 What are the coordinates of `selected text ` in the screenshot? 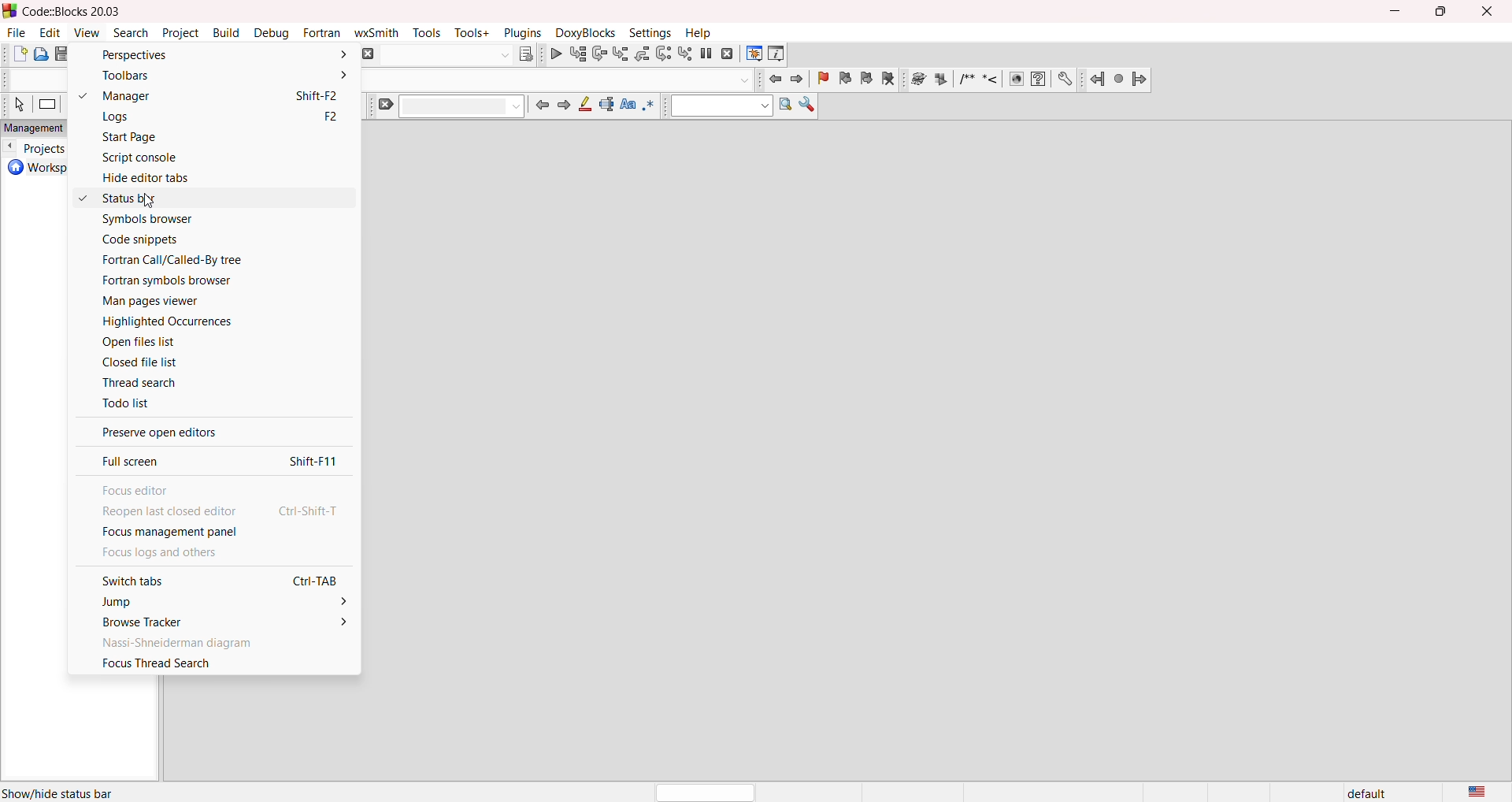 It's located at (609, 106).